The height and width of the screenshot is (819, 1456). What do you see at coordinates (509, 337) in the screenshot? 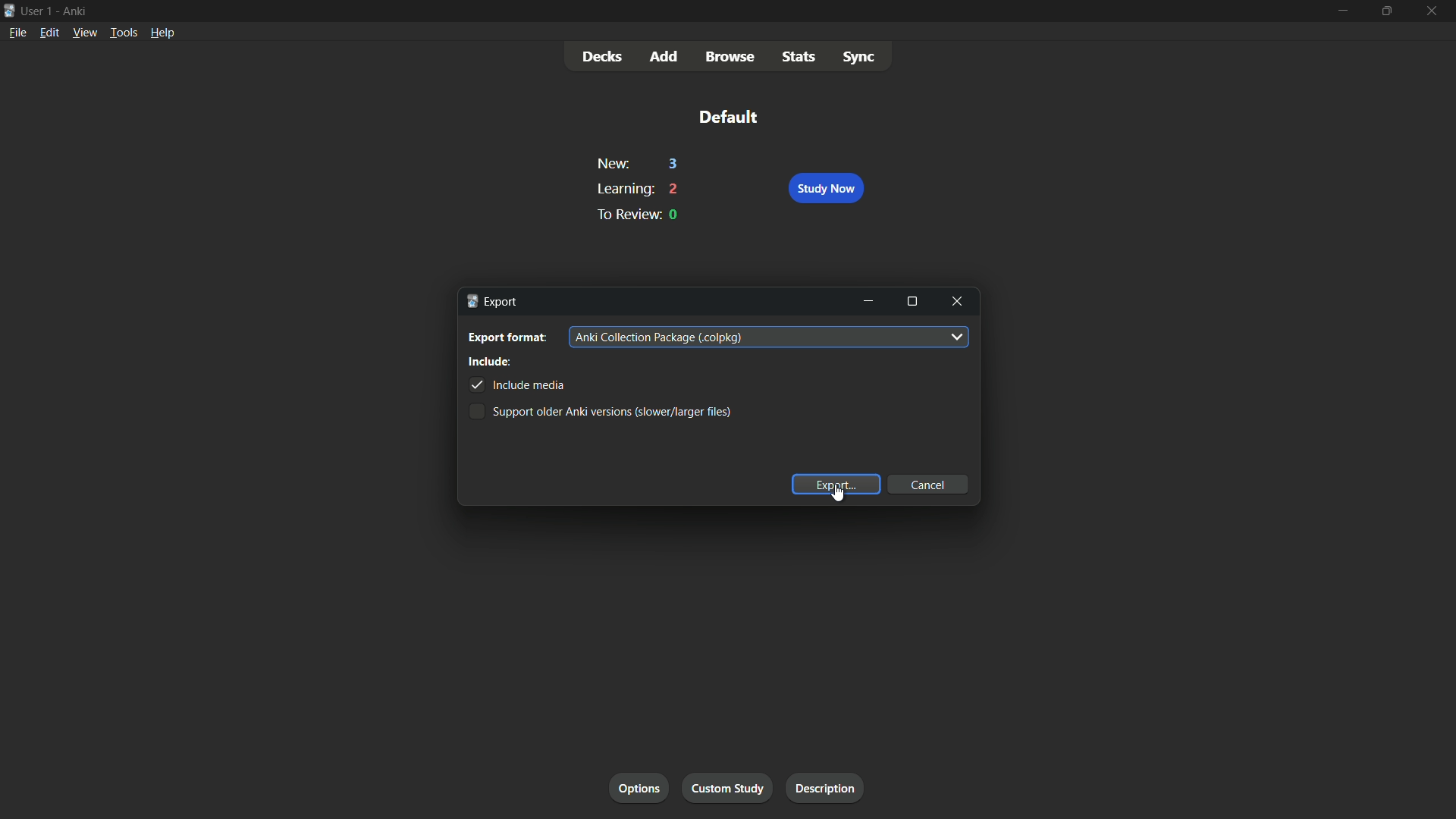
I see `export format` at bounding box center [509, 337].